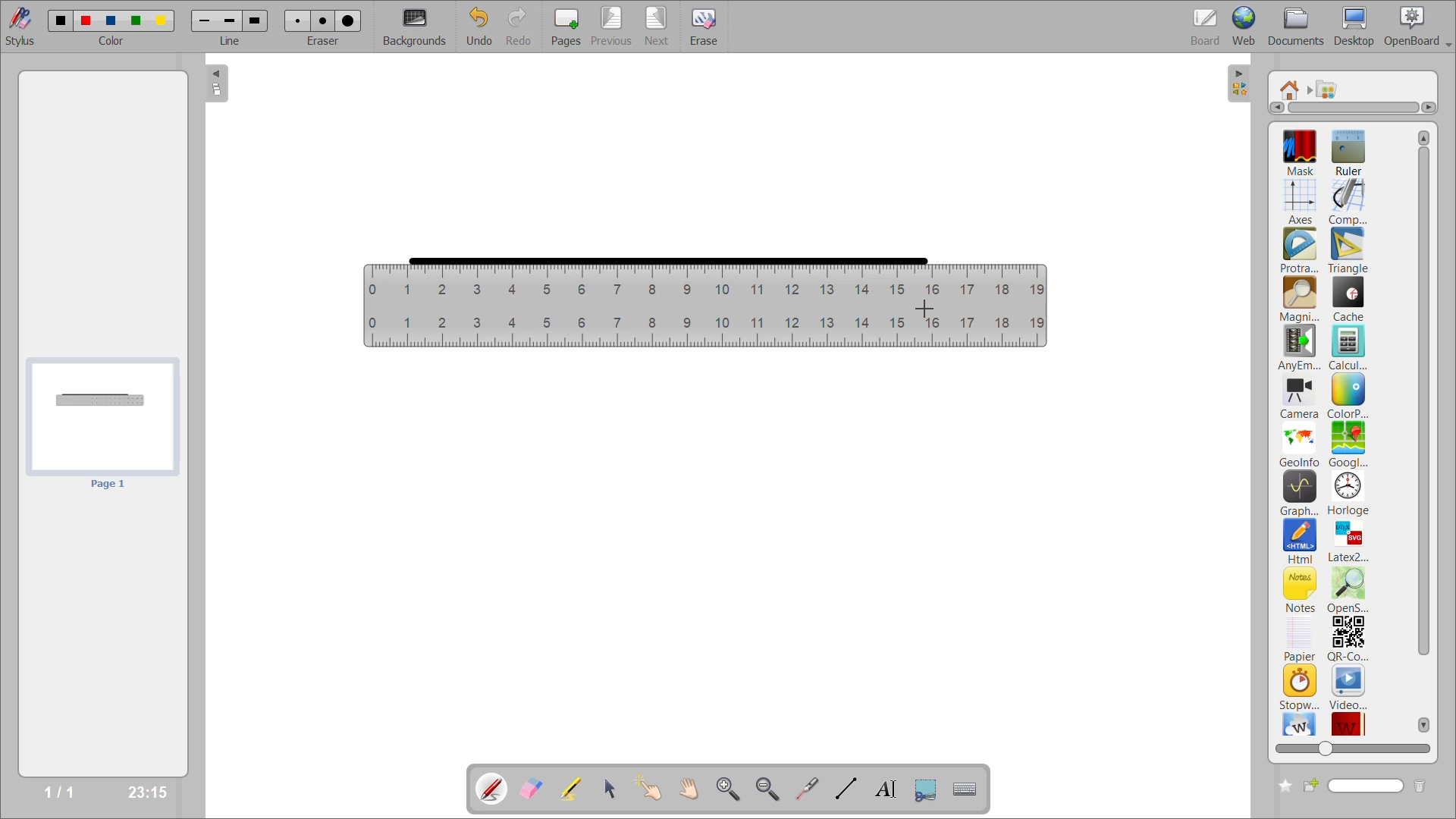  What do you see at coordinates (1299, 252) in the screenshot?
I see `protractor` at bounding box center [1299, 252].